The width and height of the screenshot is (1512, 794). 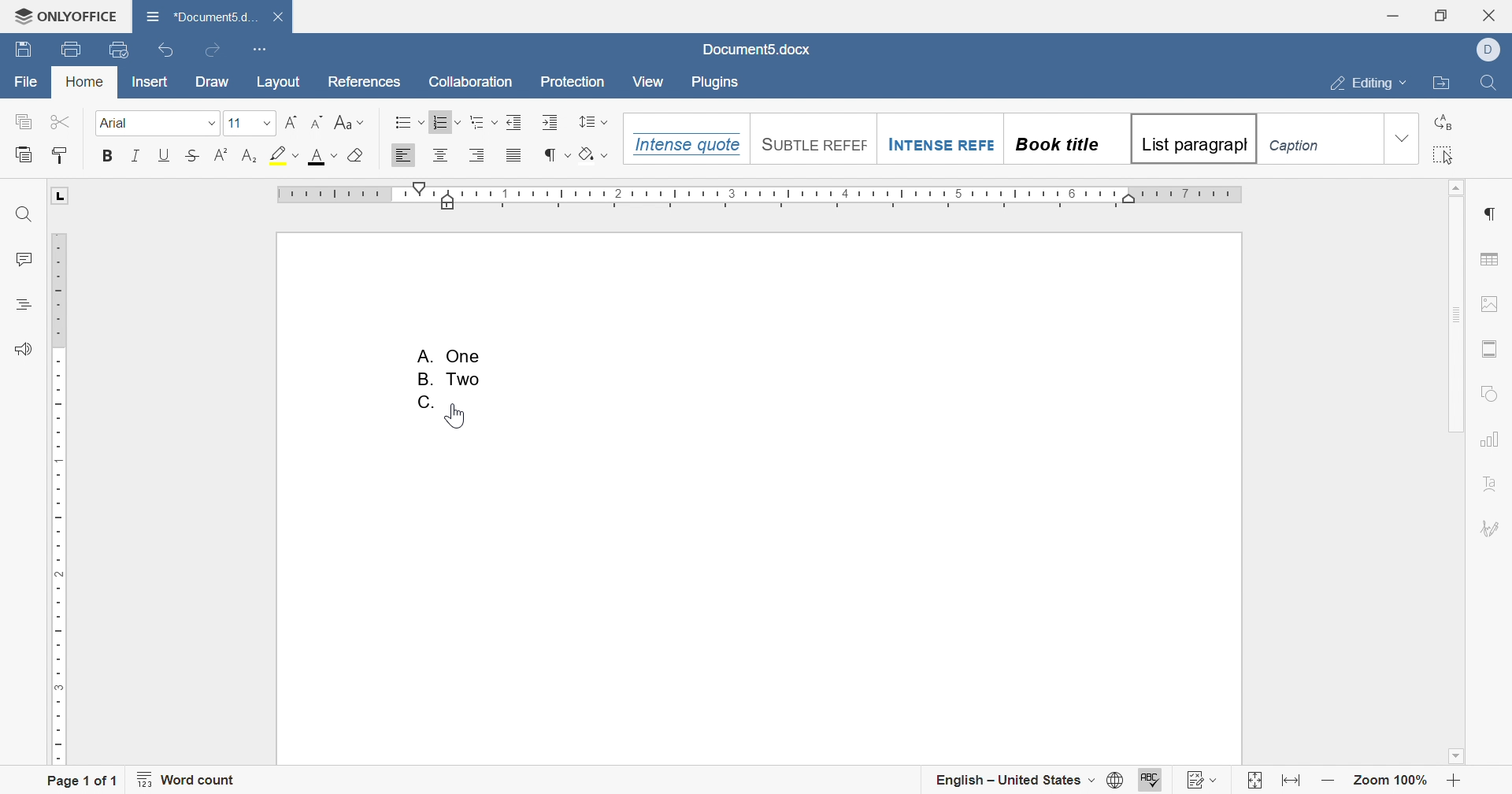 What do you see at coordinates (1368, 84) in the screenshot?
I see `editing` at bounding box center [1368, 84].